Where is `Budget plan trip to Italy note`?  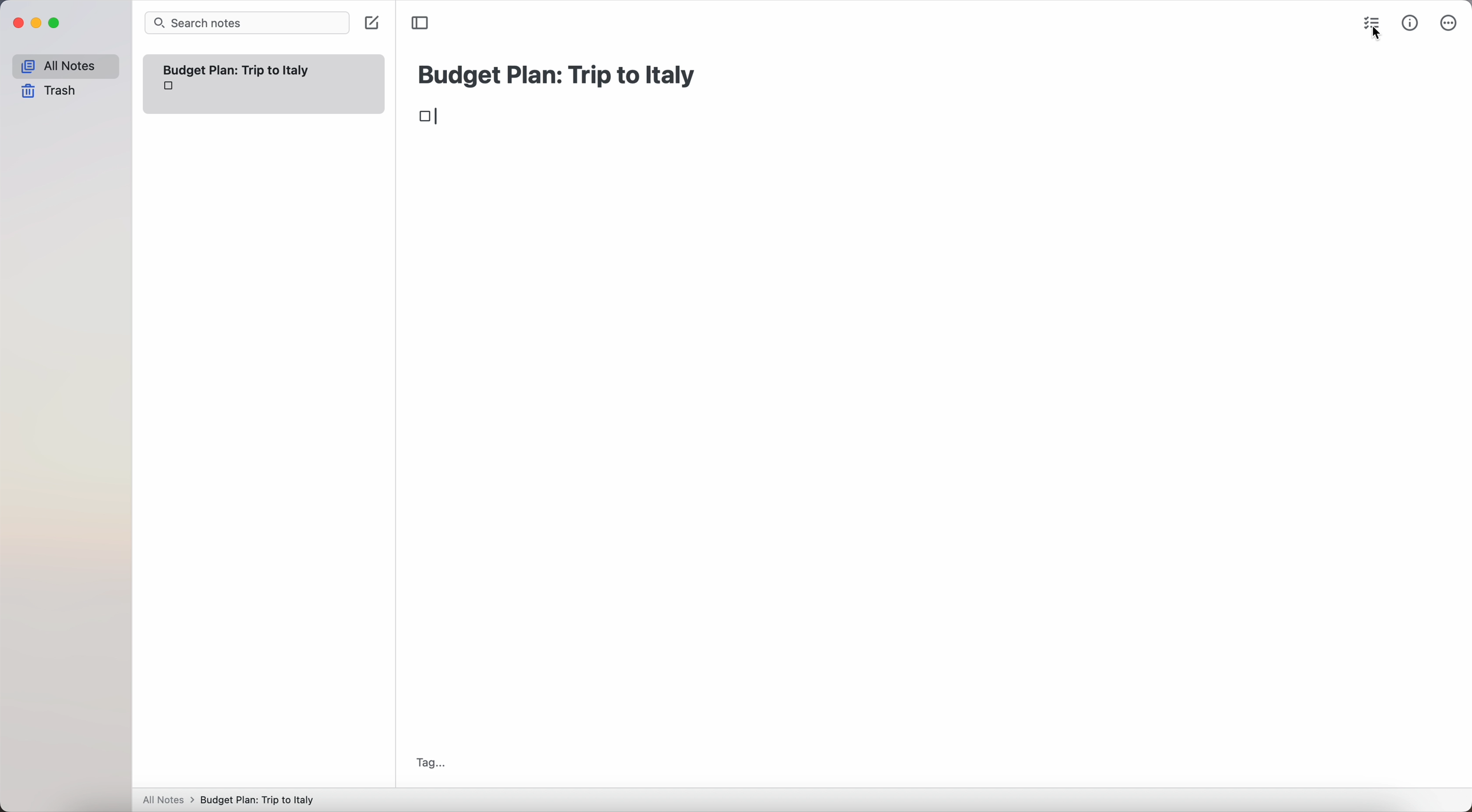 Budget plan trip to Italy note is located at coordinates (238, 69).